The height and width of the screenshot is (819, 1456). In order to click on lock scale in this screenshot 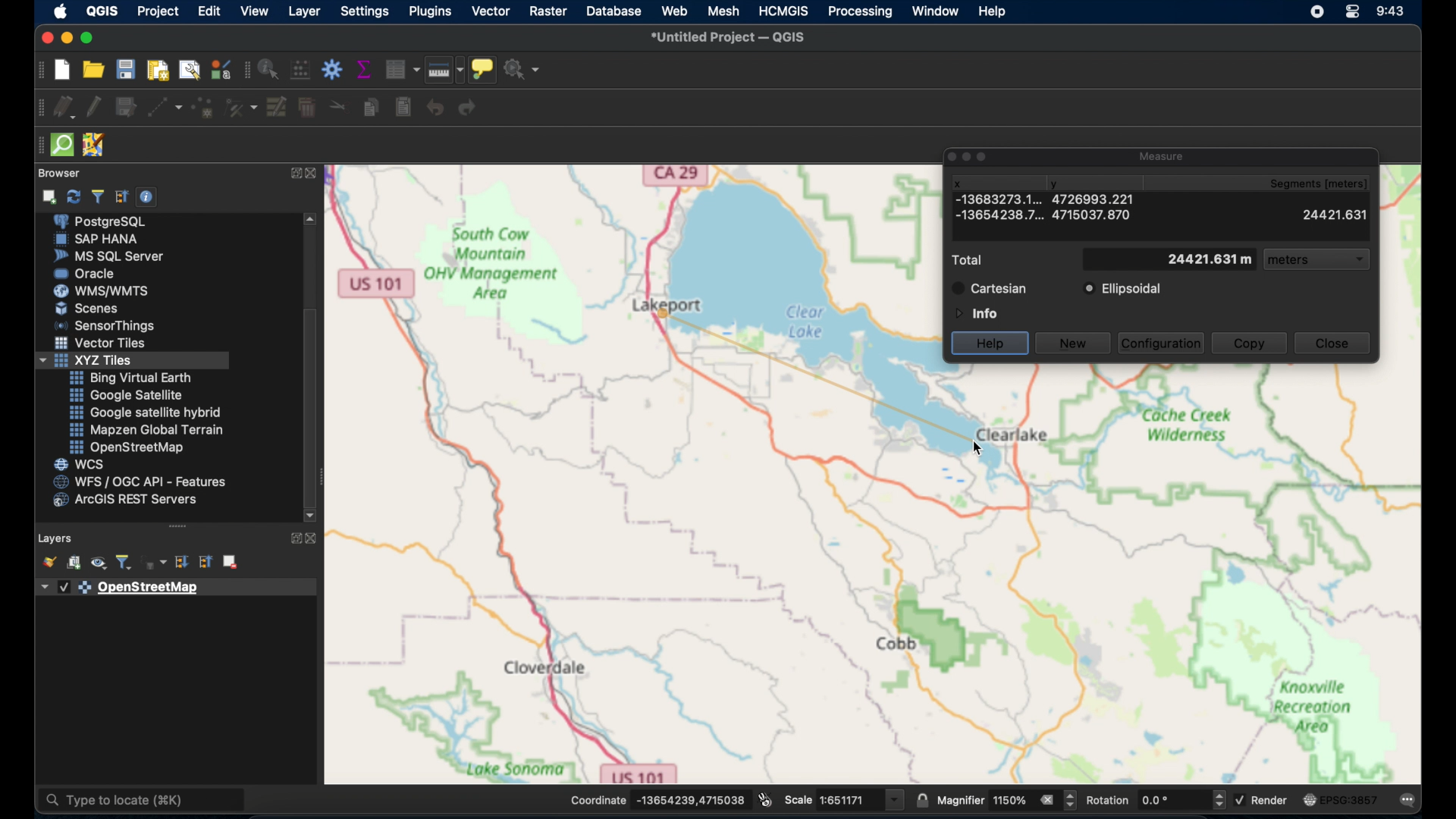, I will do `click(921, 801)`.